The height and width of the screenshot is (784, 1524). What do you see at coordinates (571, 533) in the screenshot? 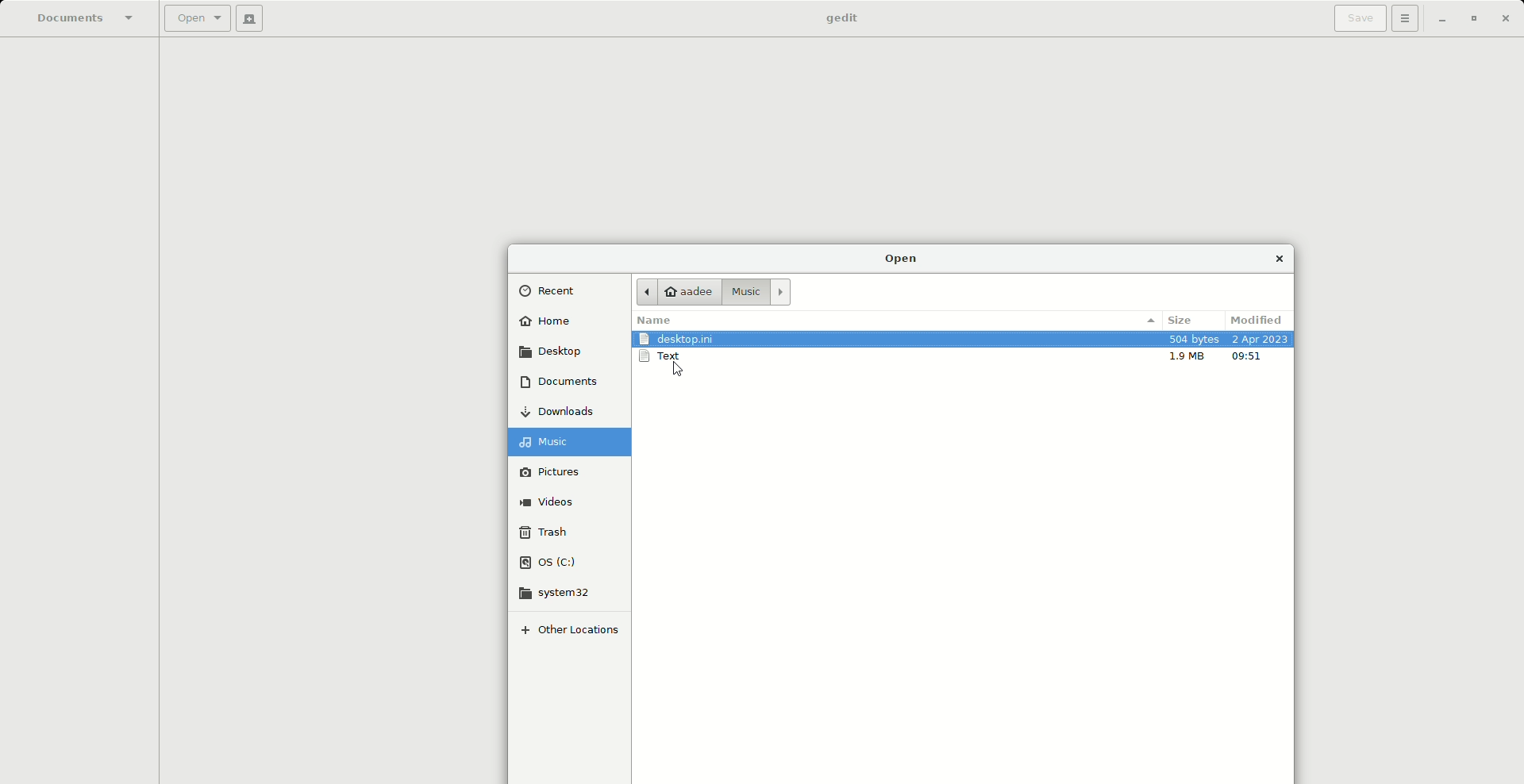
I see `Trash` at bounding box center [571, 533].